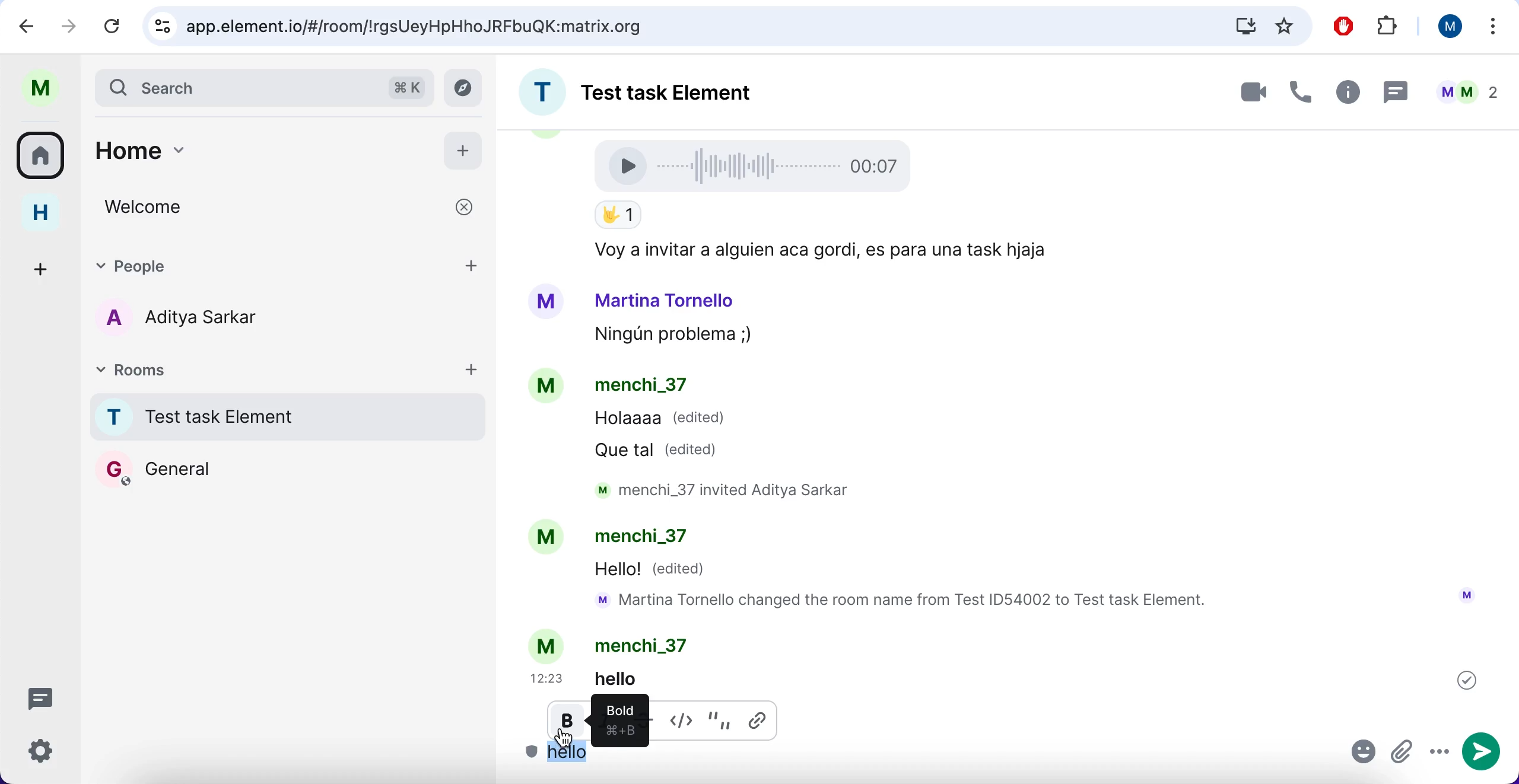  Describe the element at coordinates (1467, 680) in the screenshot. I see `` at that location.